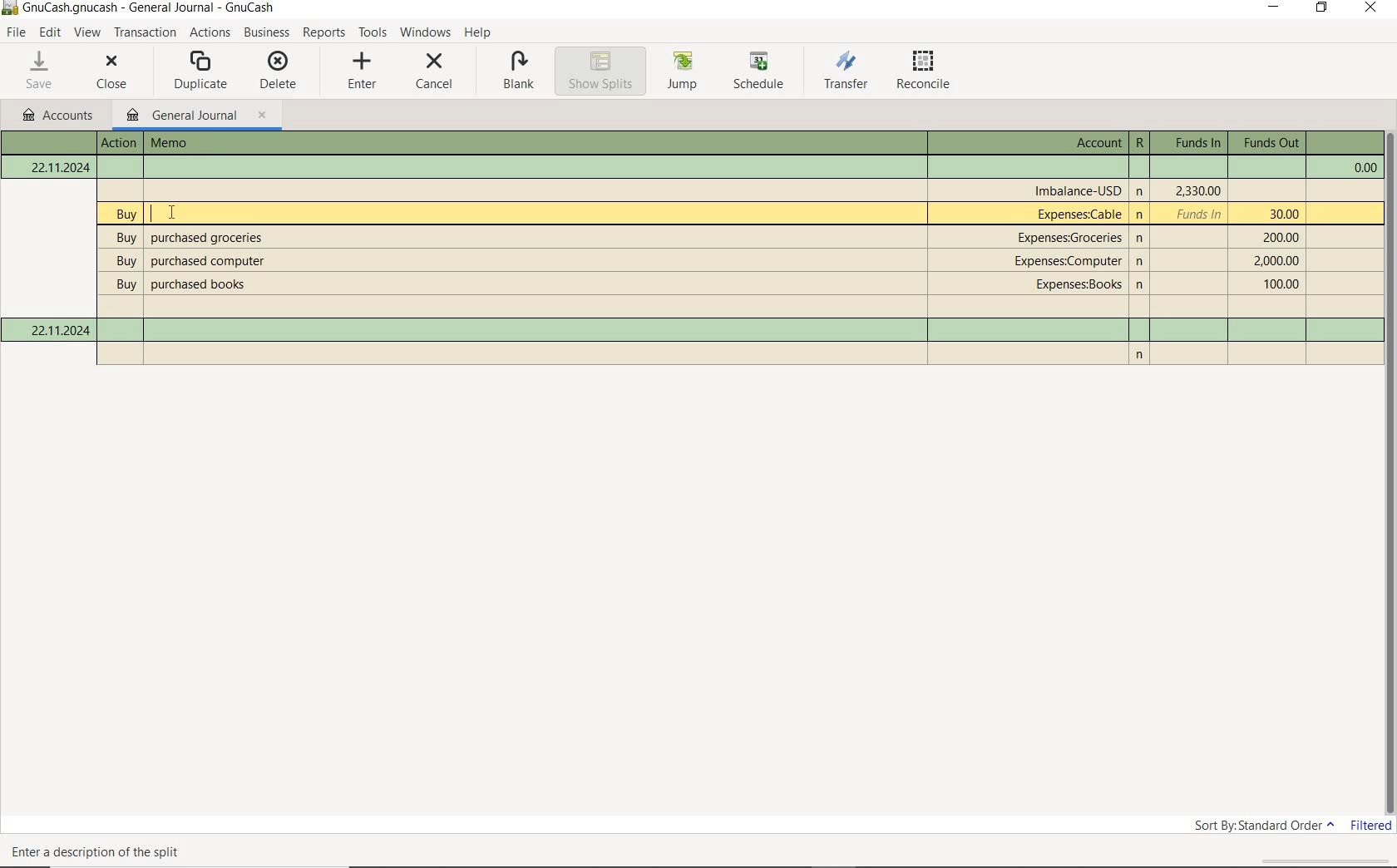  I want to click on editor, so click(151, 214).